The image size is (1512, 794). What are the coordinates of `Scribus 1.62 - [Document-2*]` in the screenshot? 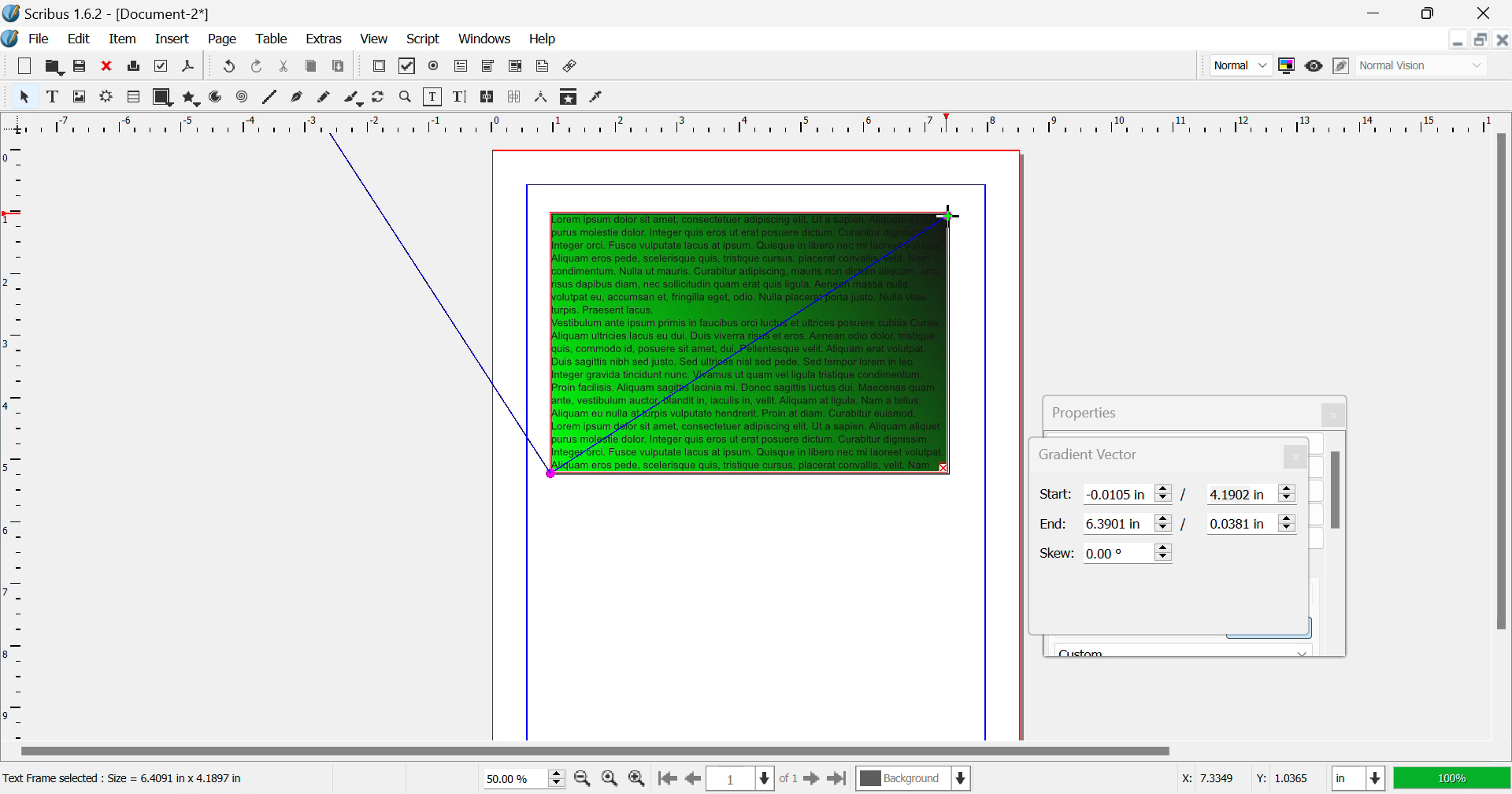 It's located at (108, 13).